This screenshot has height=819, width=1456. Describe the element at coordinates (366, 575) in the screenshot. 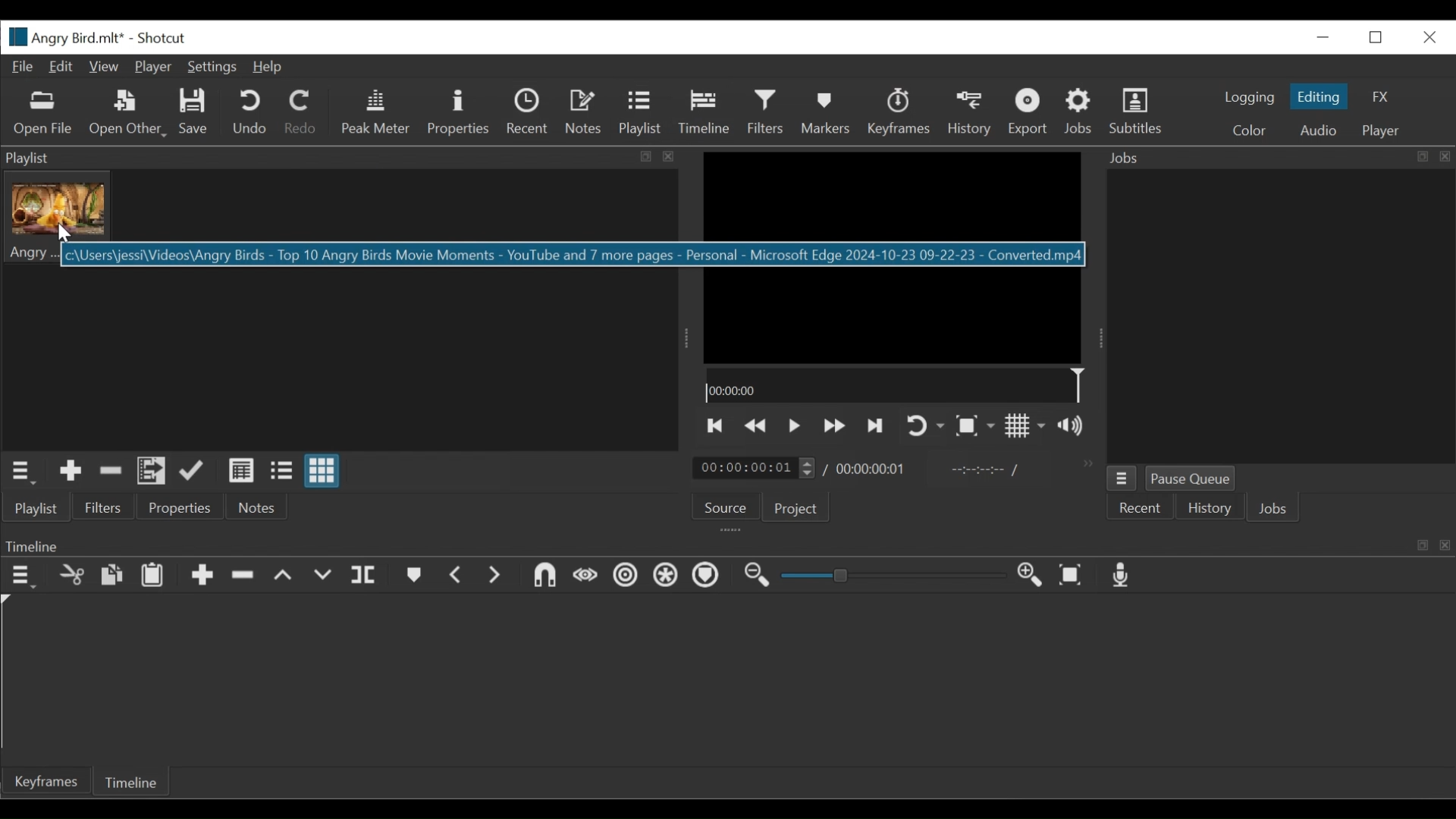

I see `Split at playhead` at that location.